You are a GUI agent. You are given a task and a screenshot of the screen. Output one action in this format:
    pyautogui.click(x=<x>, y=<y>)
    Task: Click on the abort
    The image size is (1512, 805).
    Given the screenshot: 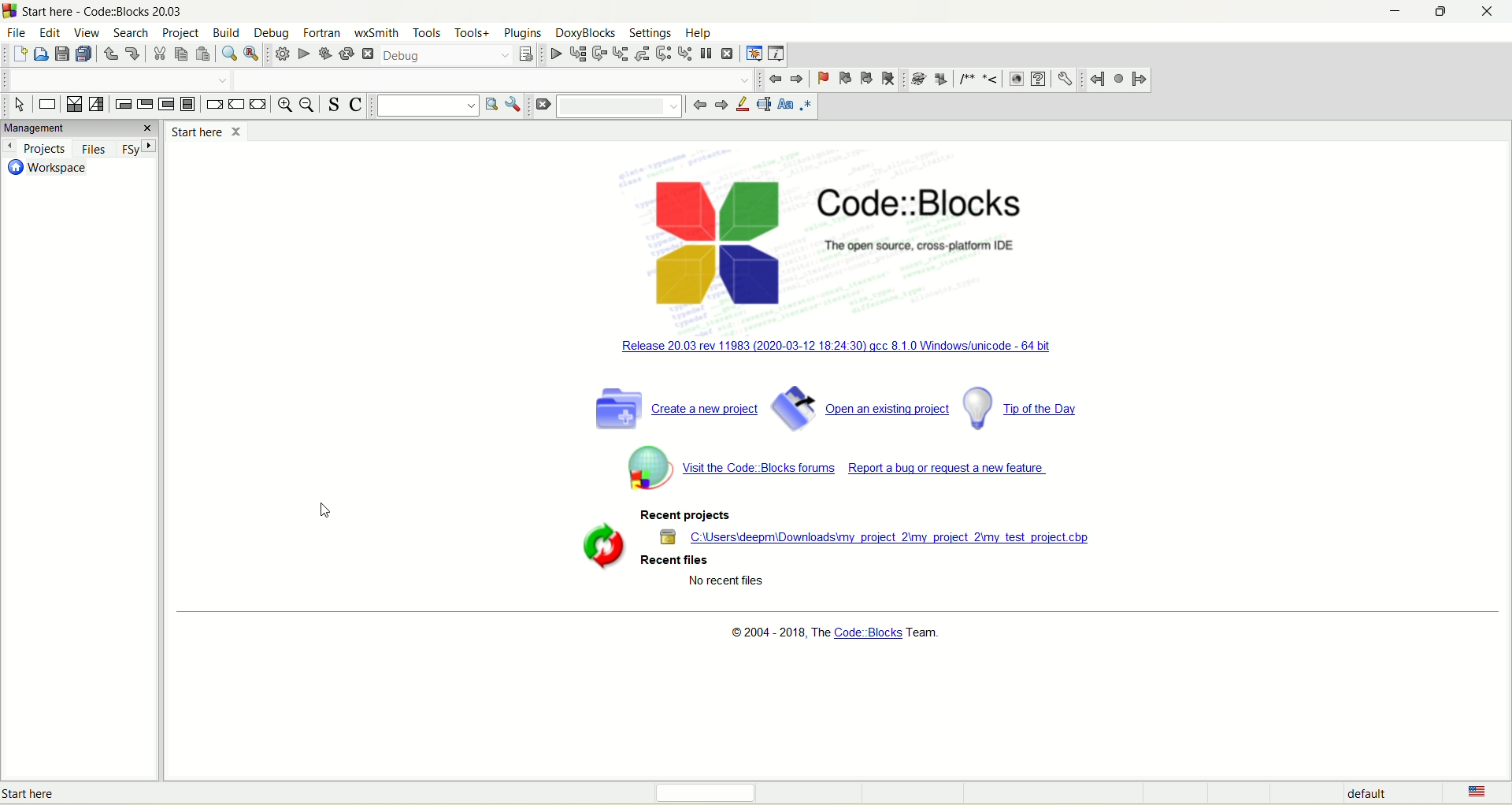 What is the action you would take?
    pyautogui.click(x=368, y=54)
    